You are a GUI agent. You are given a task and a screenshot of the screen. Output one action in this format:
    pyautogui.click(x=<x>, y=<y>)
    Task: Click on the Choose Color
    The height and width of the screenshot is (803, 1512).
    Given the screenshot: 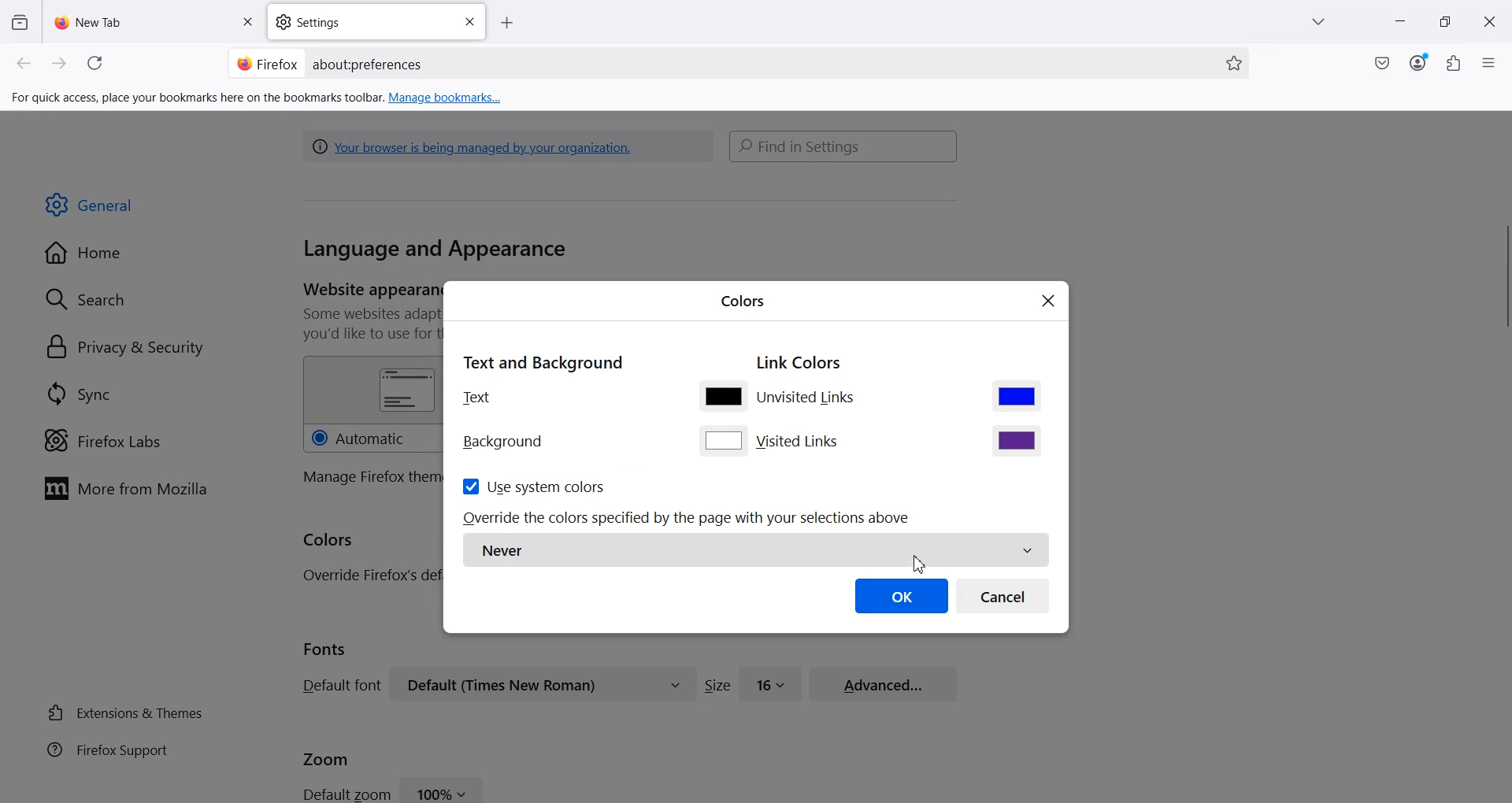 What is the action you would take?
    pyautogui.click(x=722, y=395)
    